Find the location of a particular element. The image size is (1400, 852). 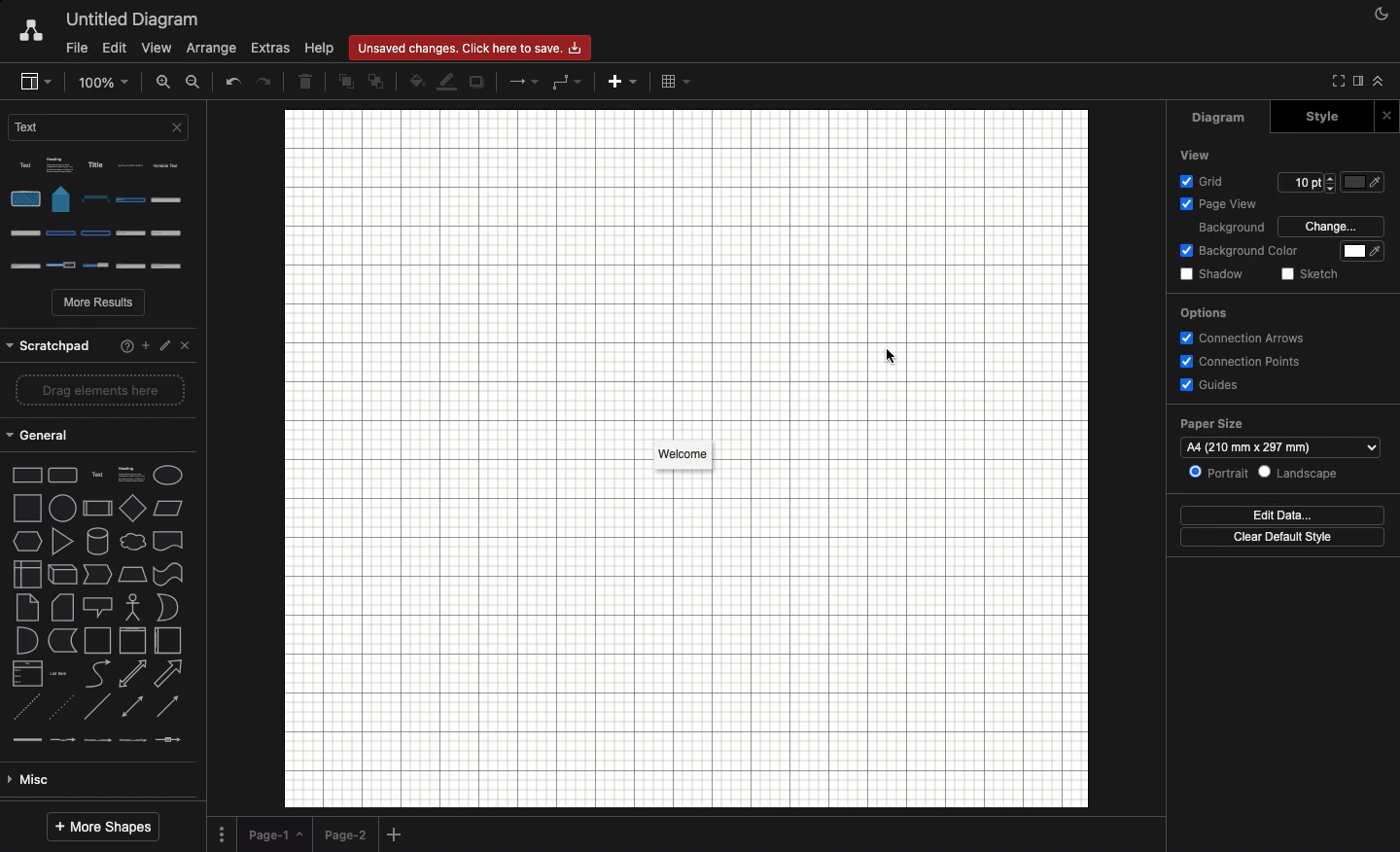

Zoom out is located at coordinates (194, 82).